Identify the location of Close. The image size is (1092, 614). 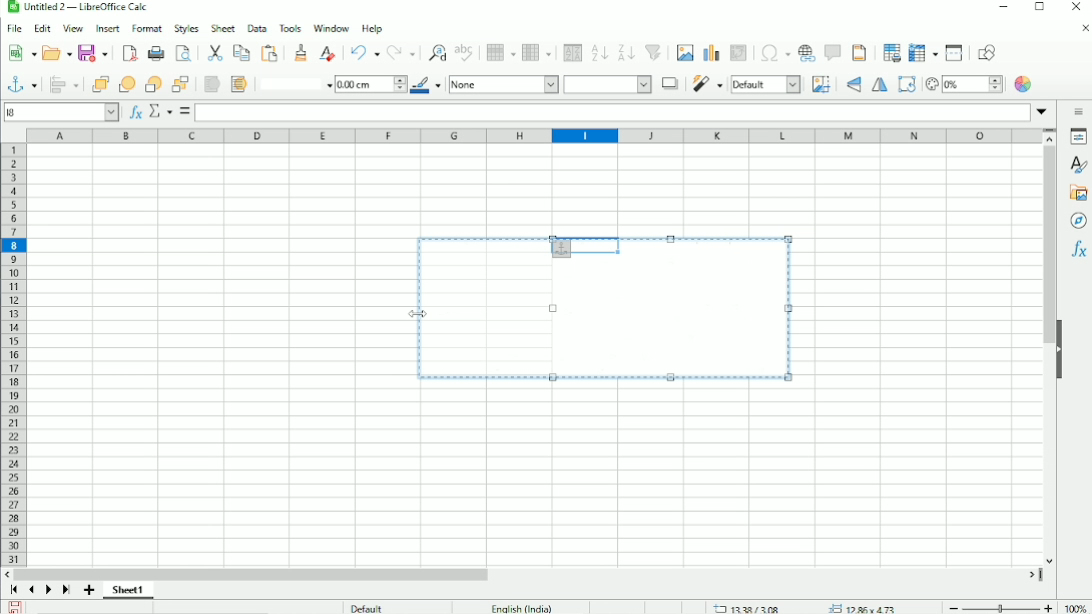
(1076, 7).